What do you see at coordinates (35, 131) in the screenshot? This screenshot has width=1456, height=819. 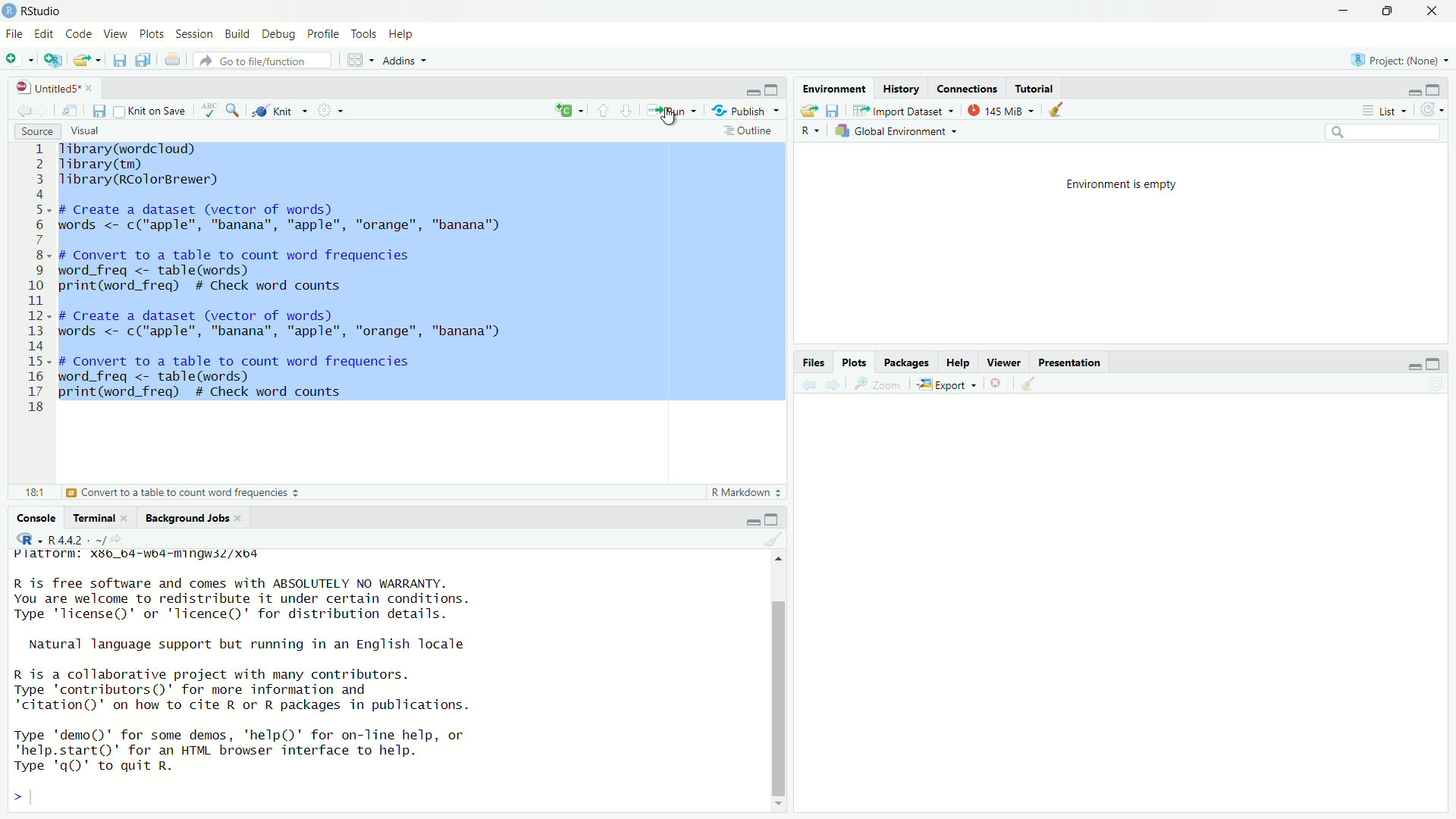 I see `Source` at bounding box center [35, 131].